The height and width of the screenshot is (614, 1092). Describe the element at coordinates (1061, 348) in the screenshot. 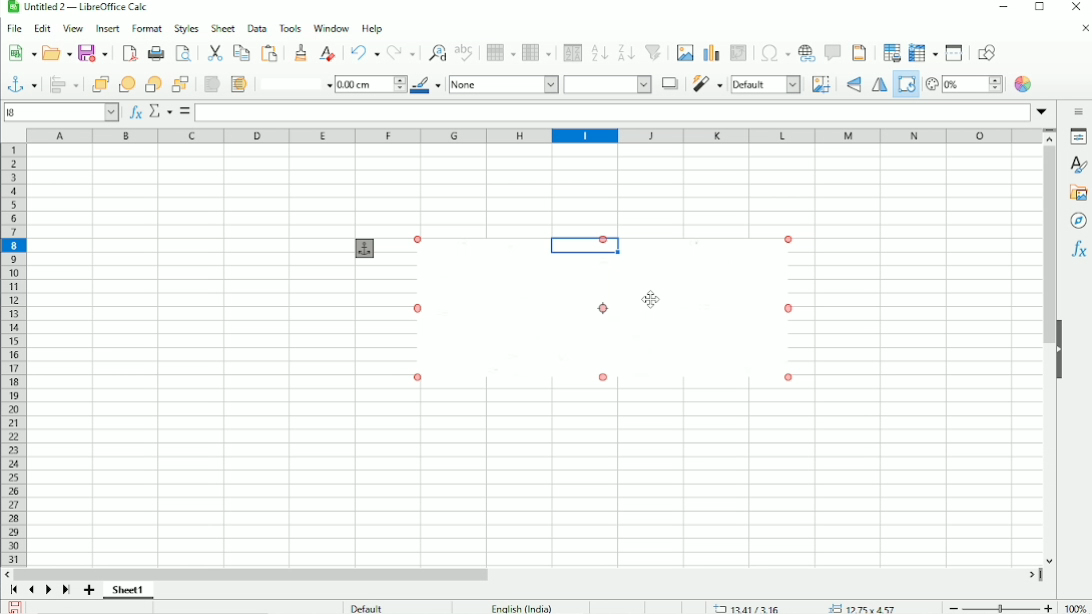

I see `Hide` at that location.